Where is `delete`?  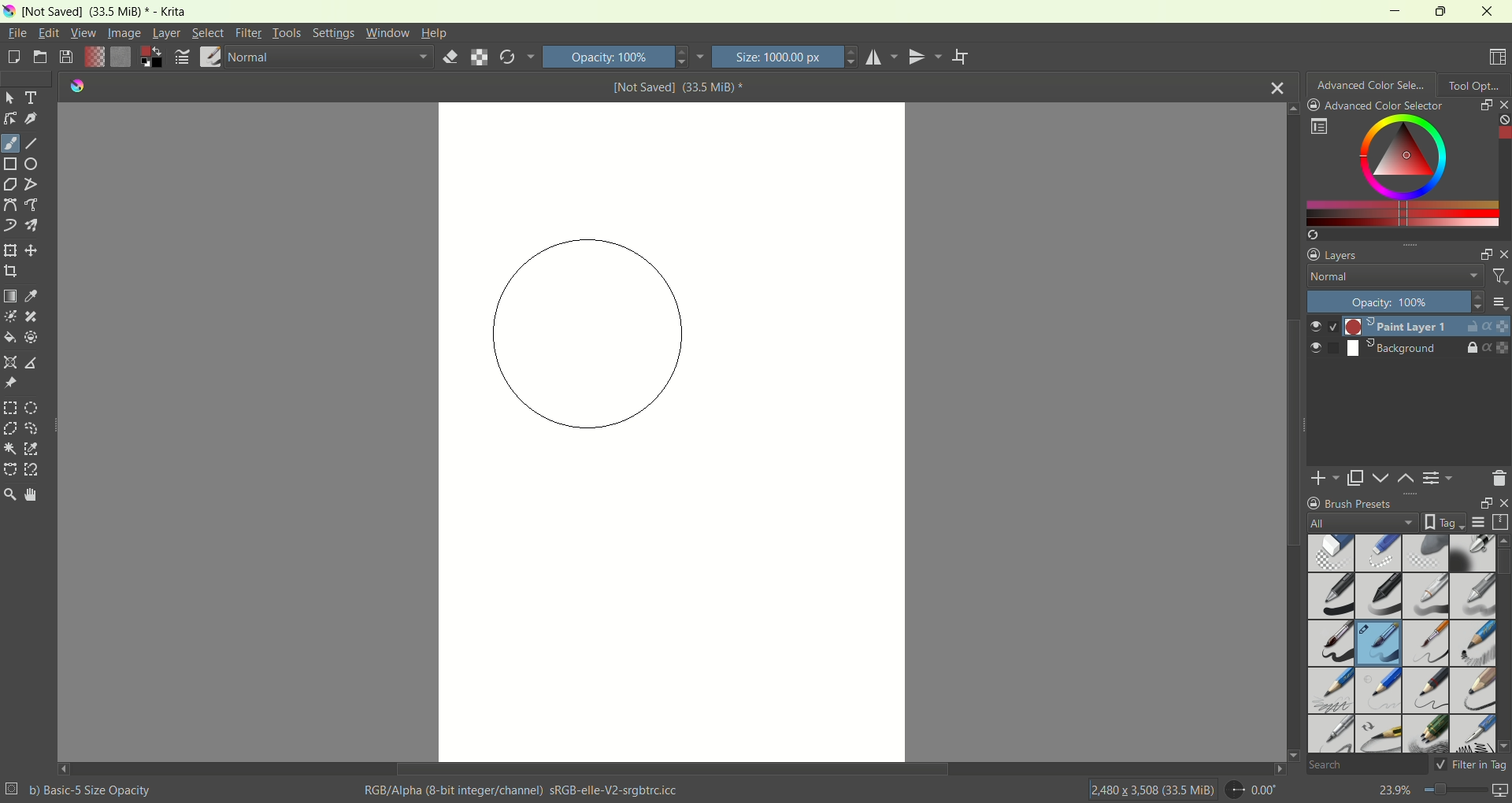 delete is located at coordinates (1499, 478).